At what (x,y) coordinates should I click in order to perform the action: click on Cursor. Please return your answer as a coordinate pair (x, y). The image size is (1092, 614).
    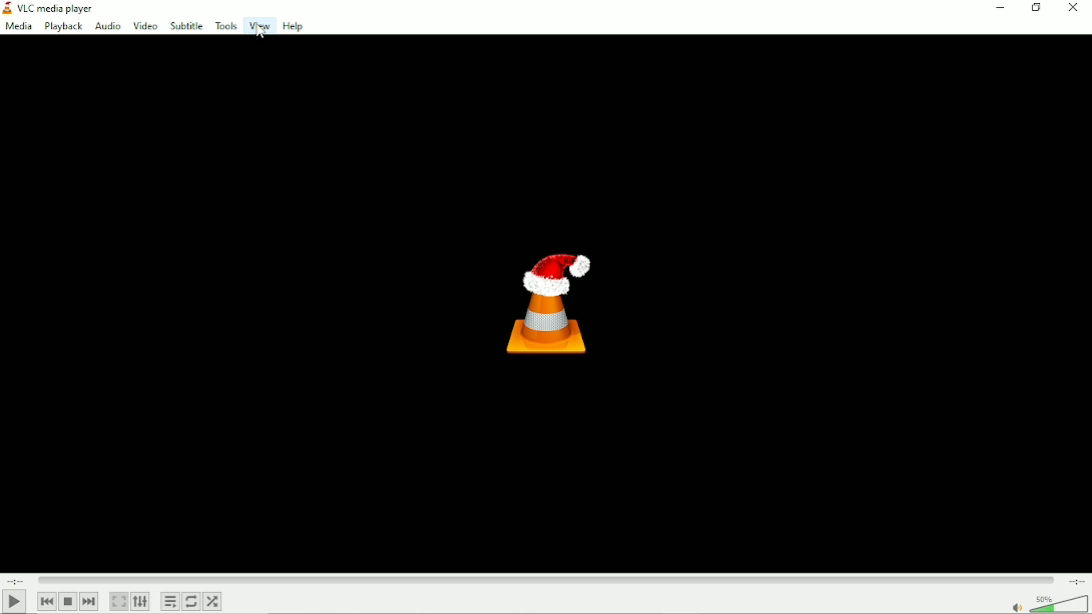
    Looking at the image, I should click on (261, 33).